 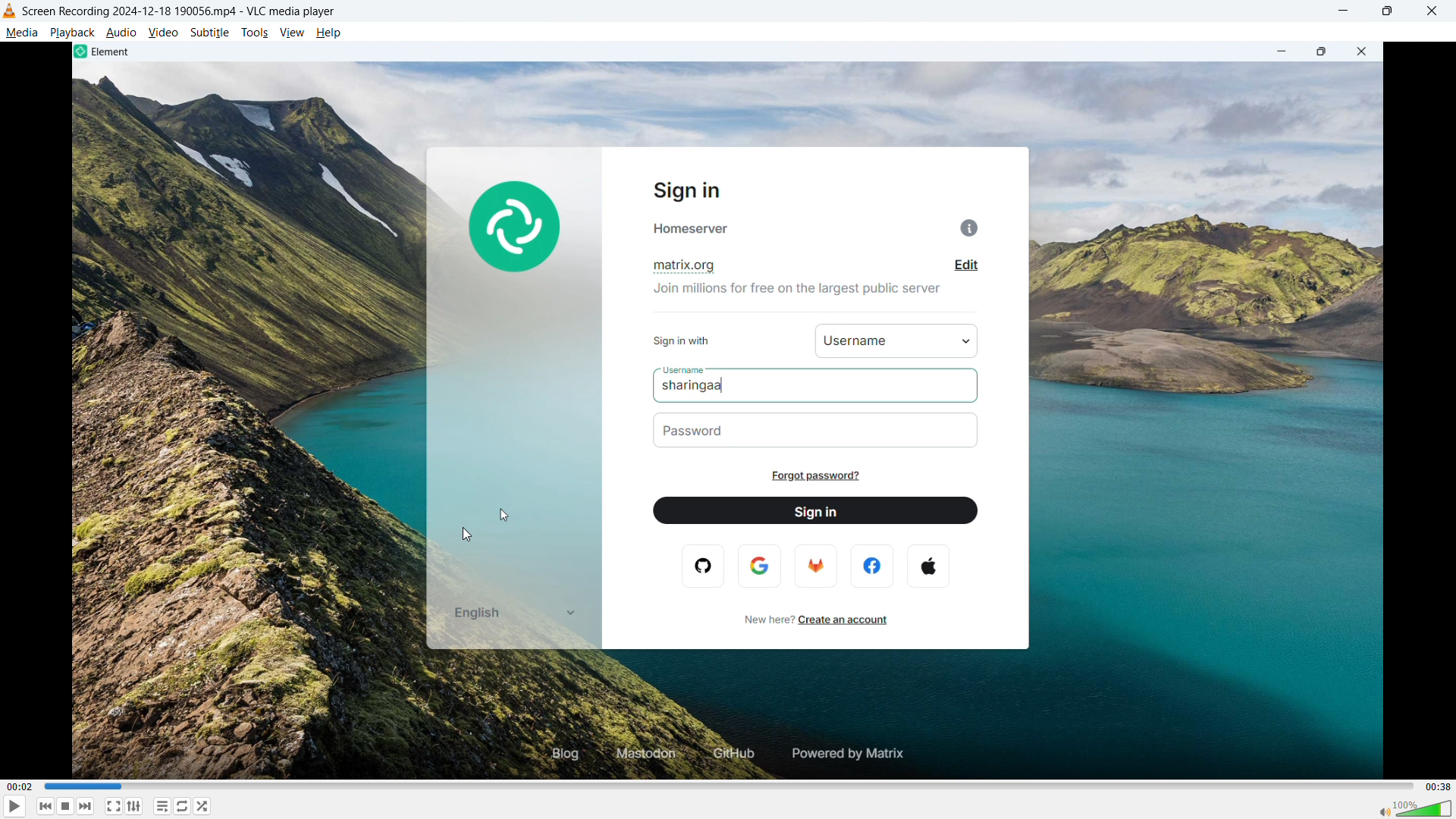 I want to click on time bar, so click(x=726, y=786).